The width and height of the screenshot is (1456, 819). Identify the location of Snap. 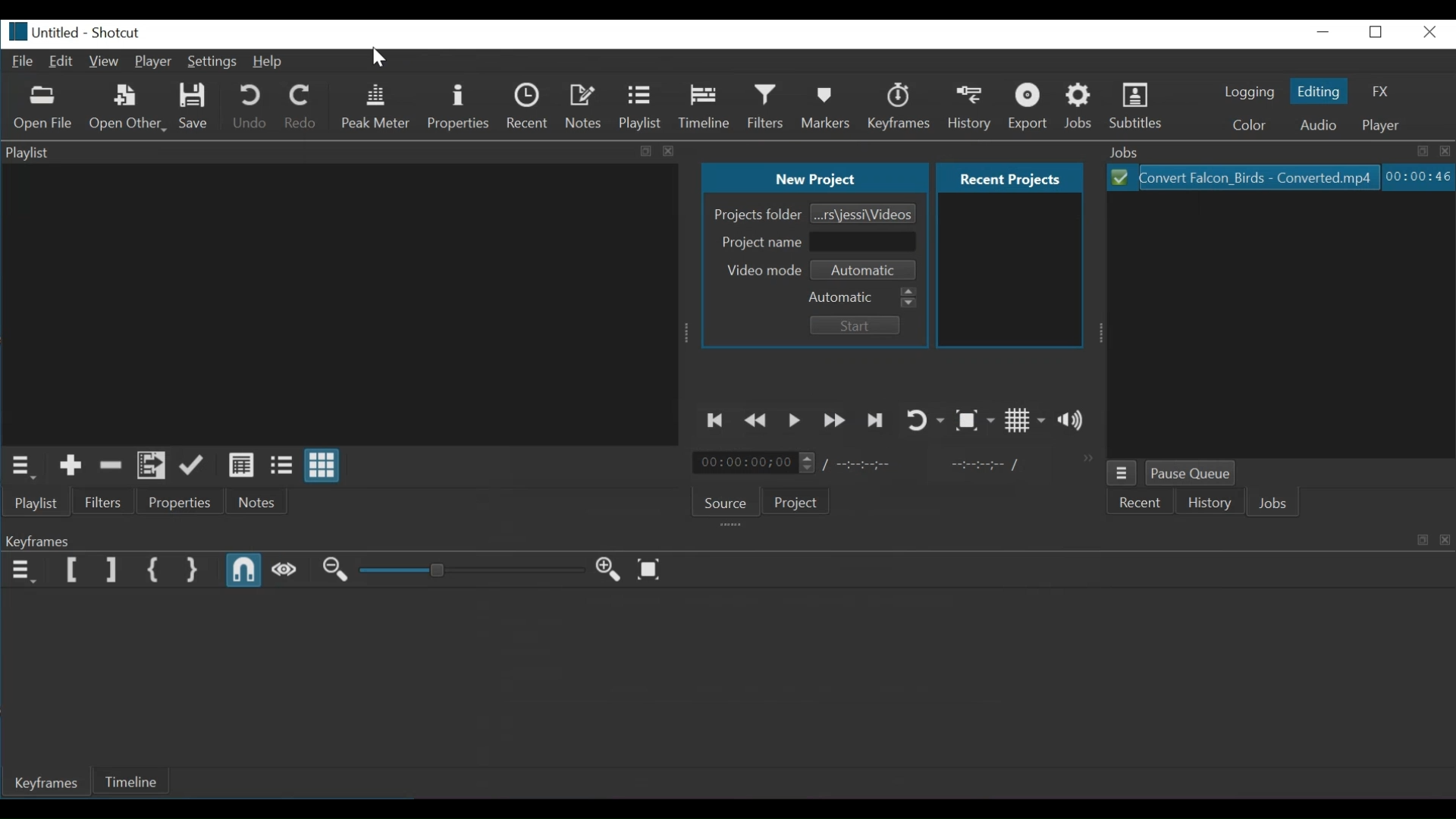
(244, 571).